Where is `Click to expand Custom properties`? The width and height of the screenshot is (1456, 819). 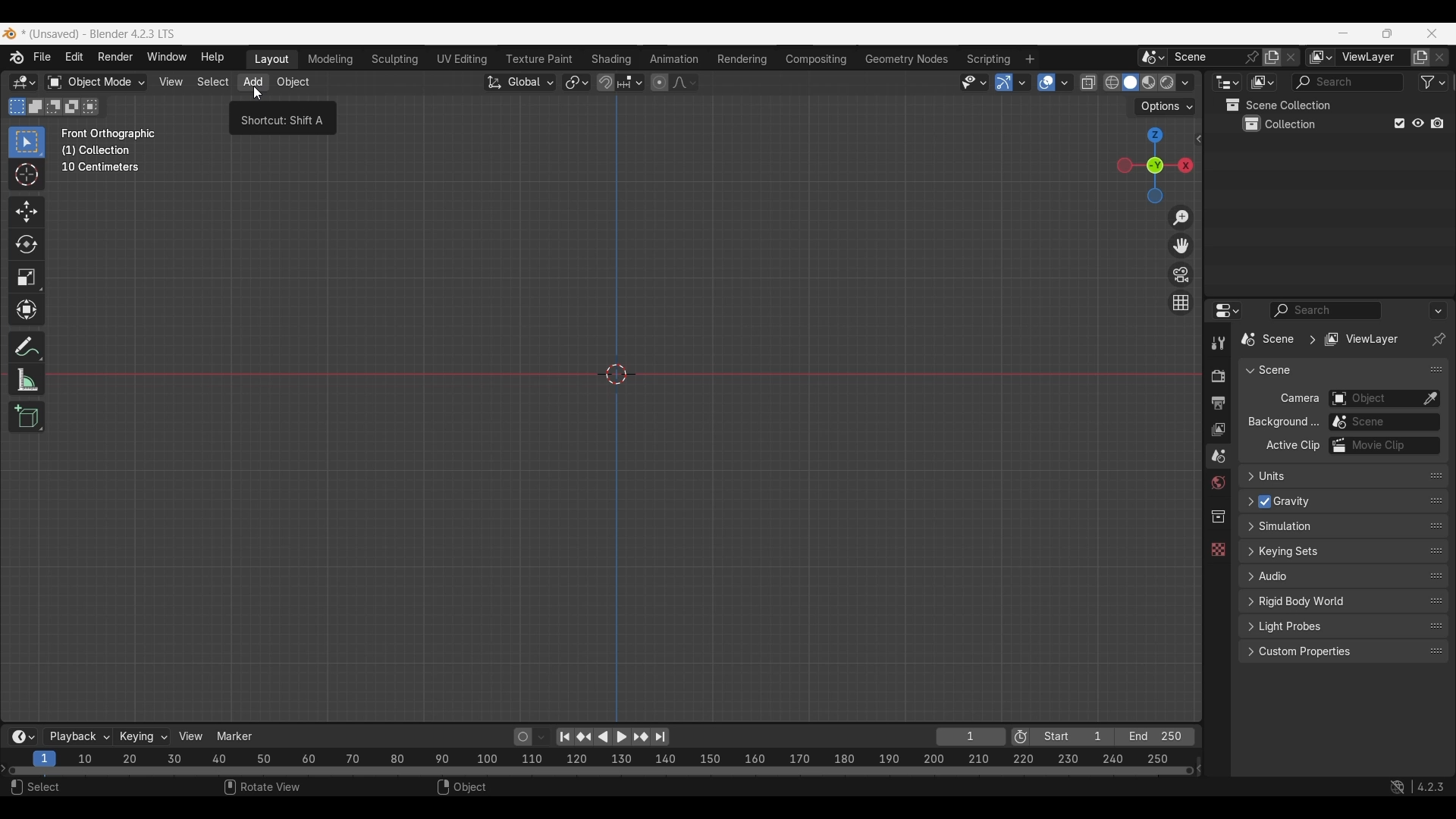
Click to expand Custom properties is located at coordinates (1333, 651).